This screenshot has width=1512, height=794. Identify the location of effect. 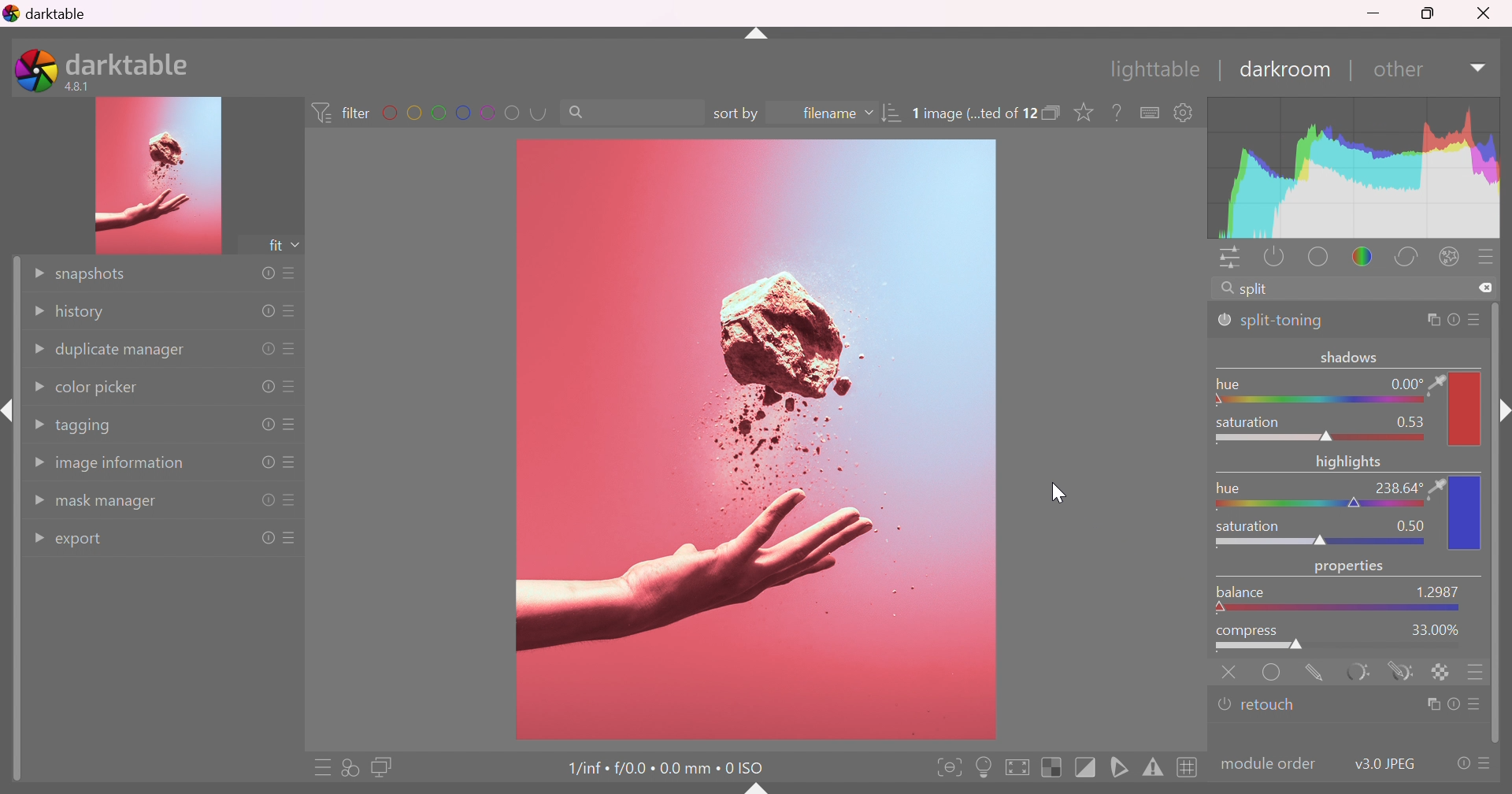
(1451, 257).